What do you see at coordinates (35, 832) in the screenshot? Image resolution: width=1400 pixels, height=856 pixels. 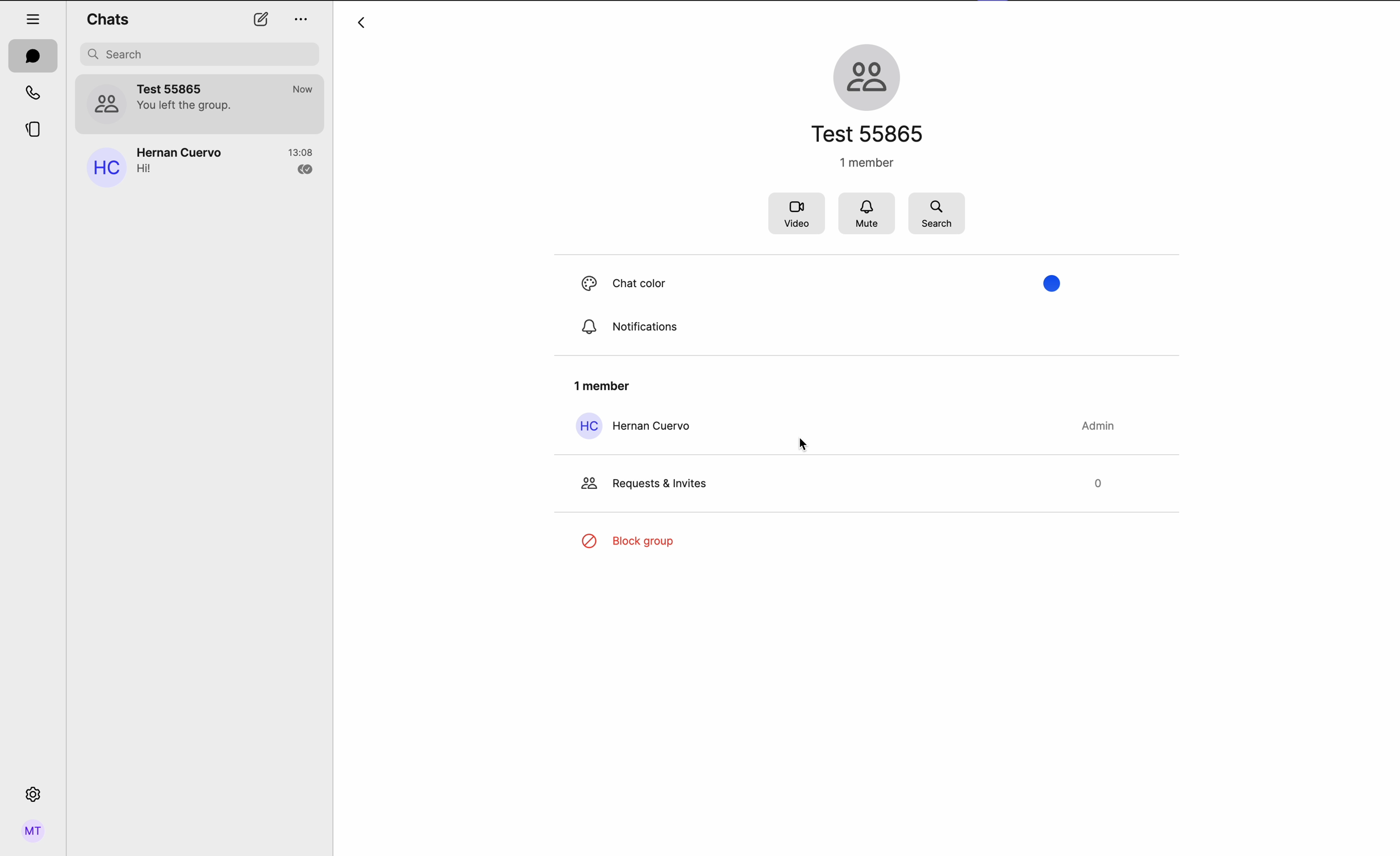 I see `profile` at bounding box center [35, 832].